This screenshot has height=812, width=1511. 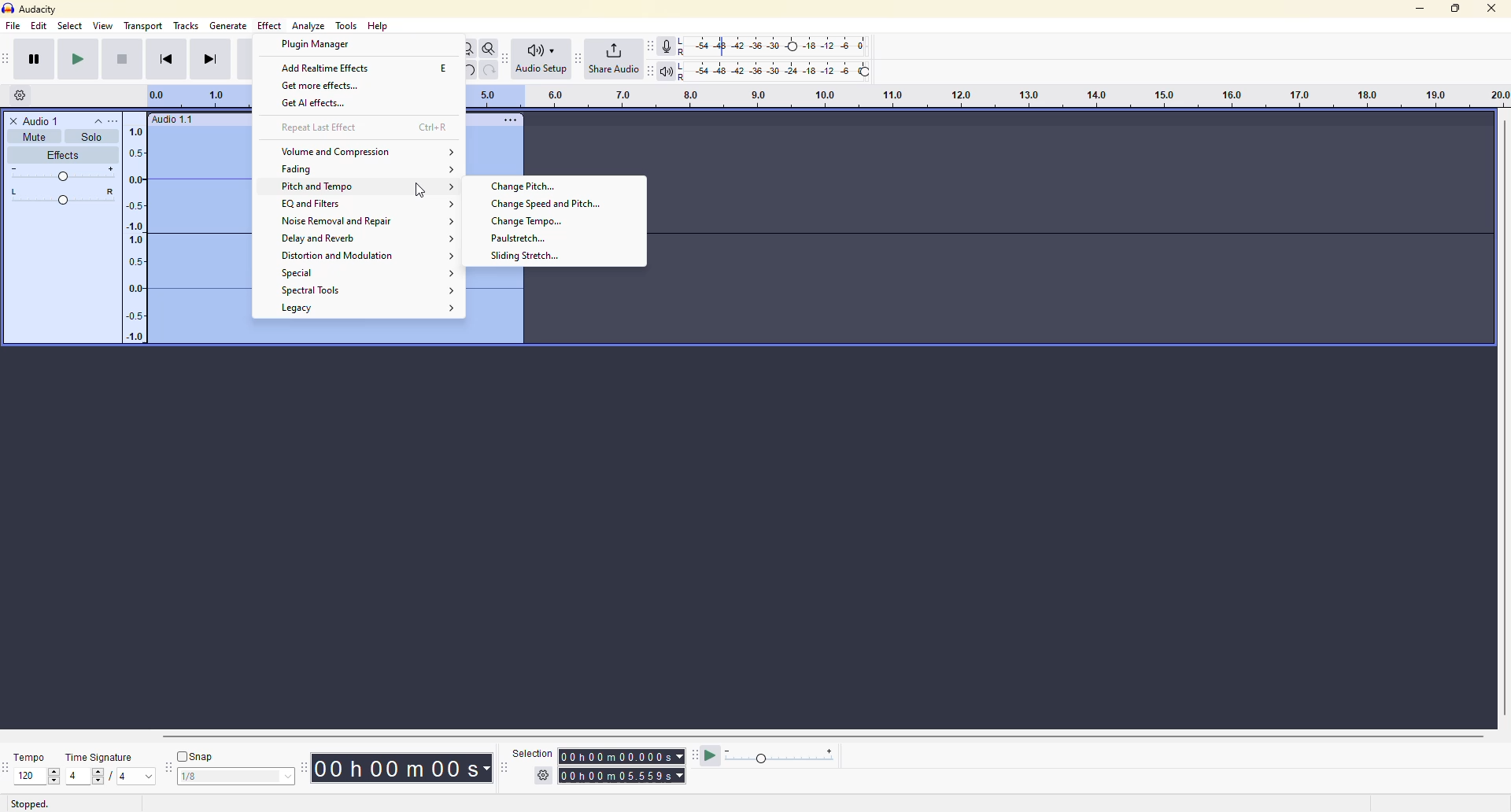 What do you see at coordinates (203, 778) in the screenshot?
I see `1/8` at bounding box center [203, 778].